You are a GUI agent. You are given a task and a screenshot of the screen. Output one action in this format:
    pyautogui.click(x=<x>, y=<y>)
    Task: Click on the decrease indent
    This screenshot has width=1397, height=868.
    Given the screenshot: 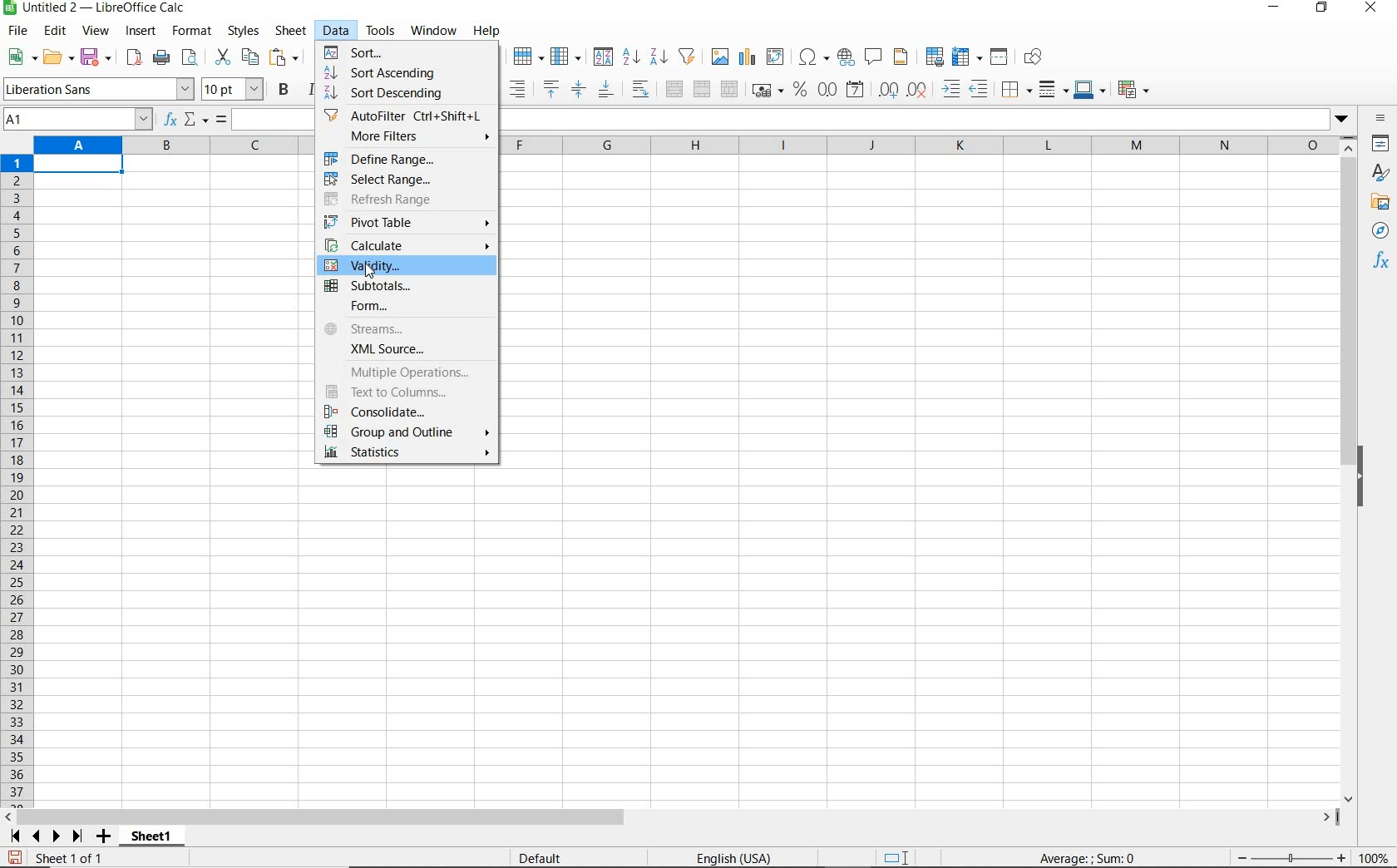 What is the action you would take?
    pyautogui.click(x=983, y=89)
    